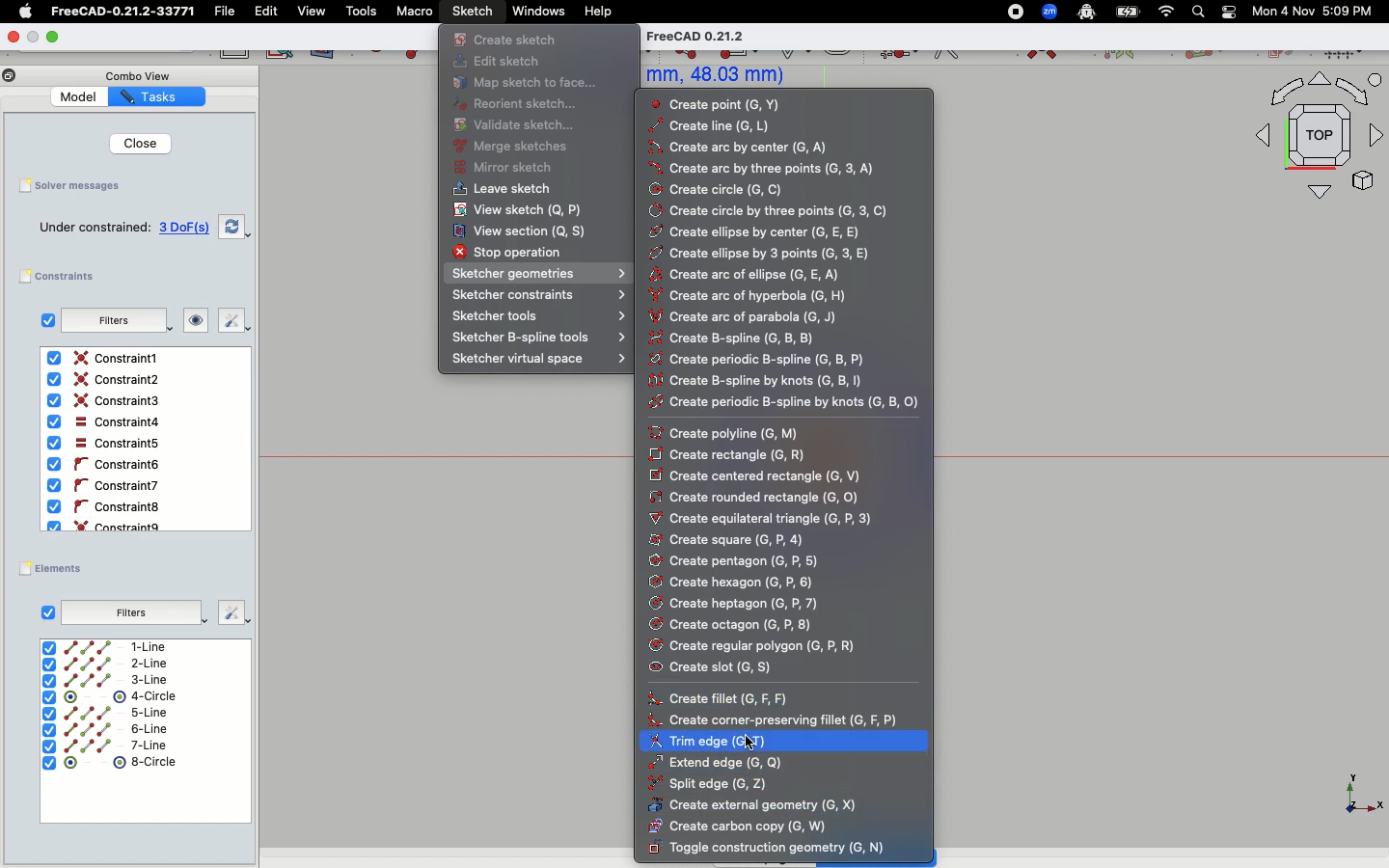 Image resolution: width=1389 pixels, height=868 pixels. Describe the element at coordinates (527, 230) in the screenshot. I see `View section(Q, S)` at that location.